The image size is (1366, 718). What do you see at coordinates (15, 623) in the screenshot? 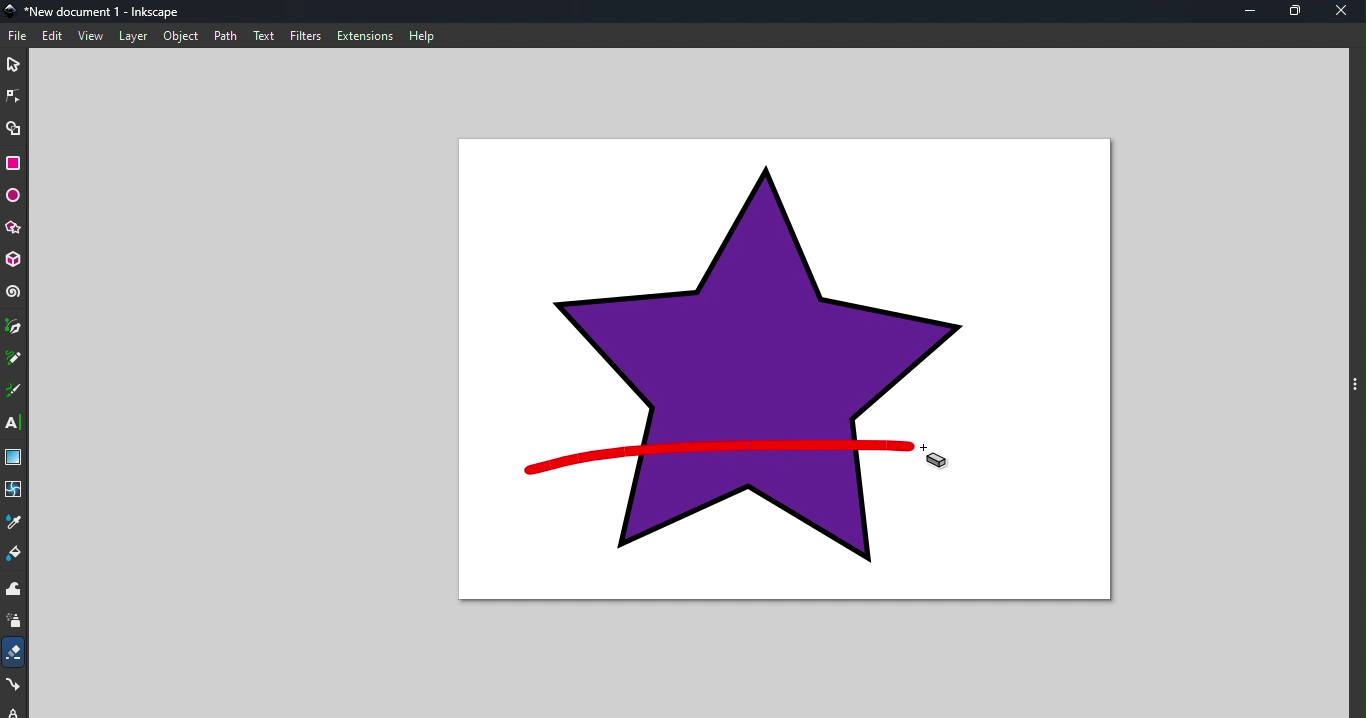
I see `spray tool` at bounding box center [15, 623].